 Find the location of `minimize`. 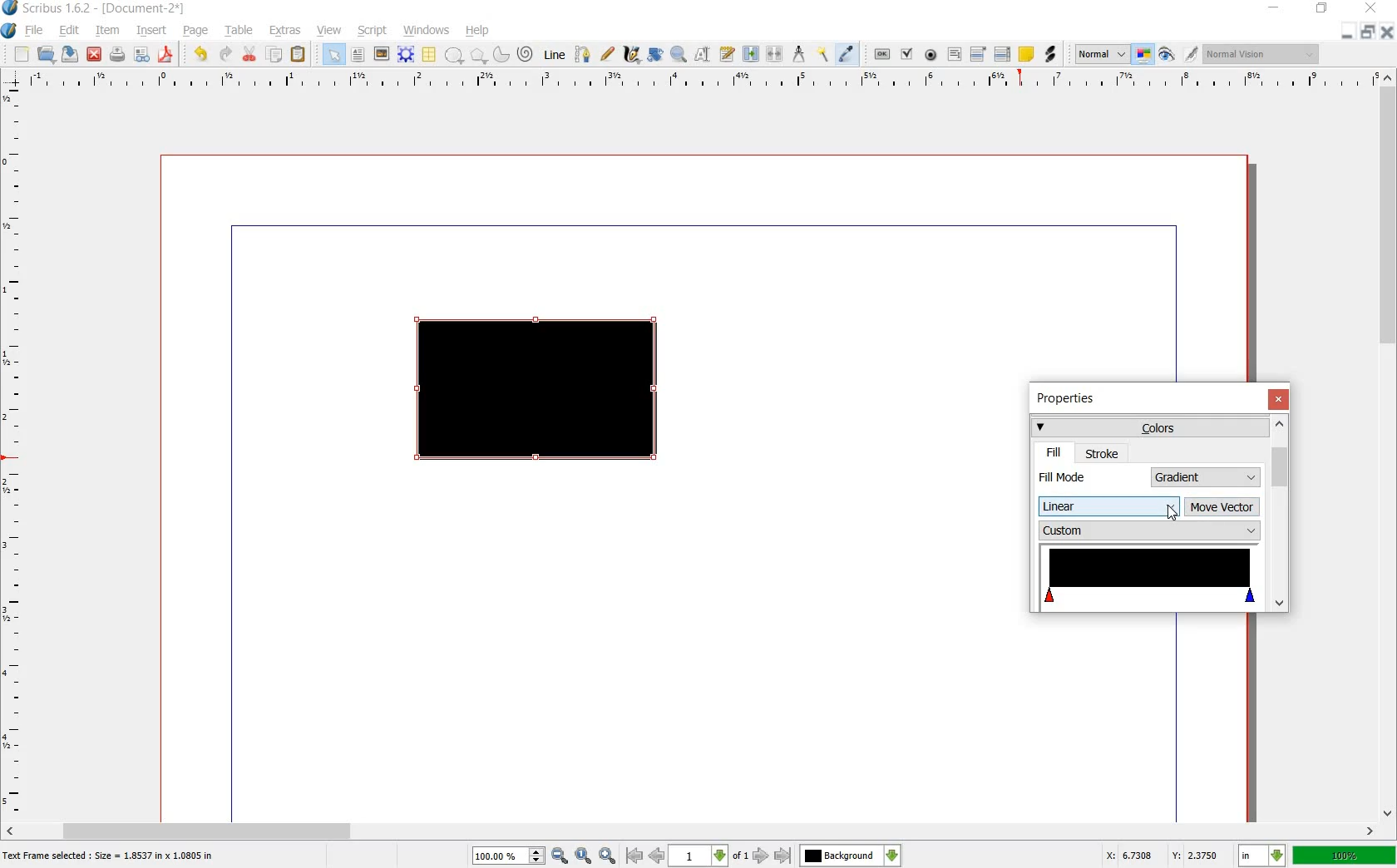

minimize is located at coordinates (1348, 33).